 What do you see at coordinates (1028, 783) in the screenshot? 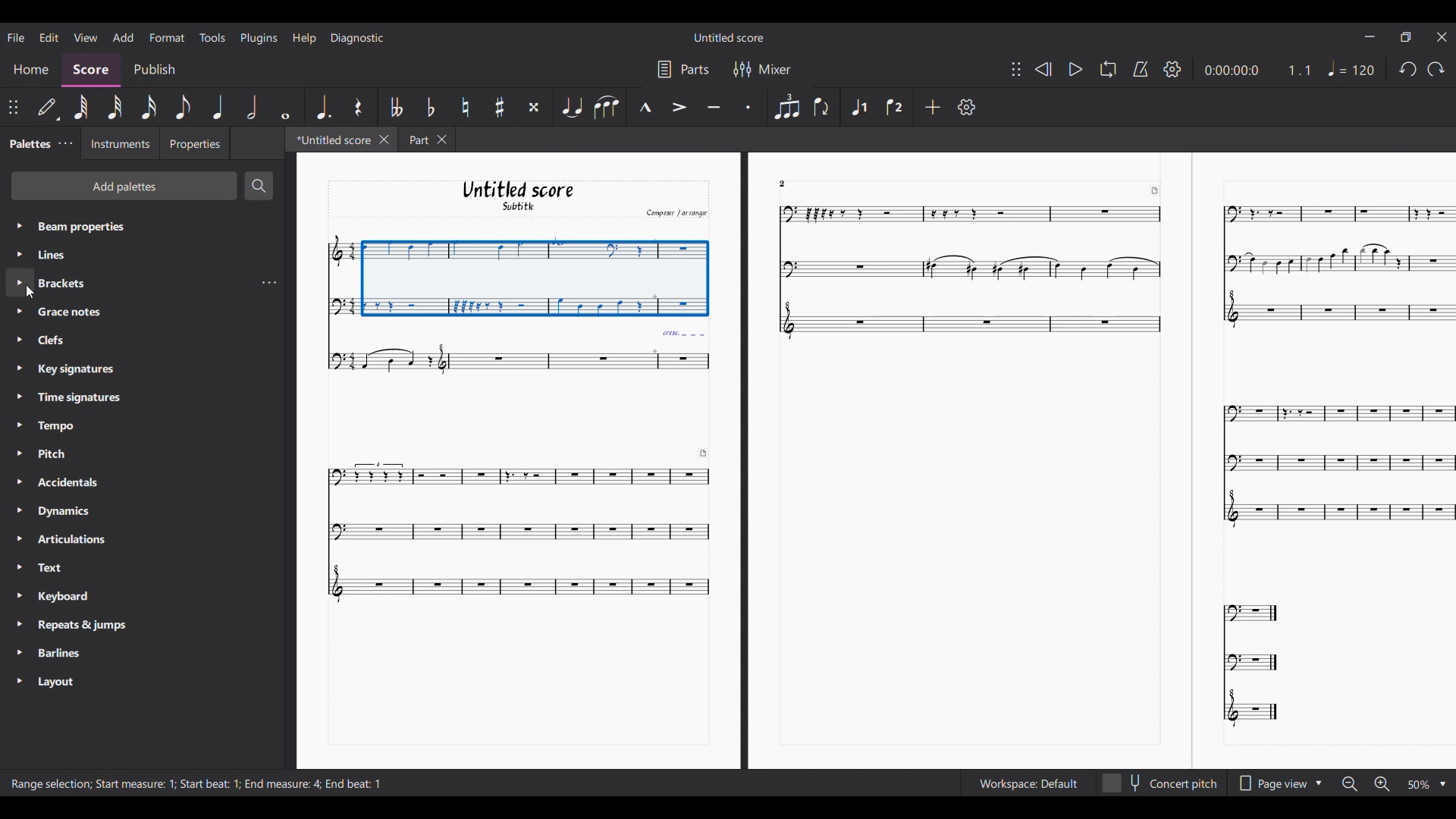
I see `Workspace setting` at bounding box center [1028, 783].